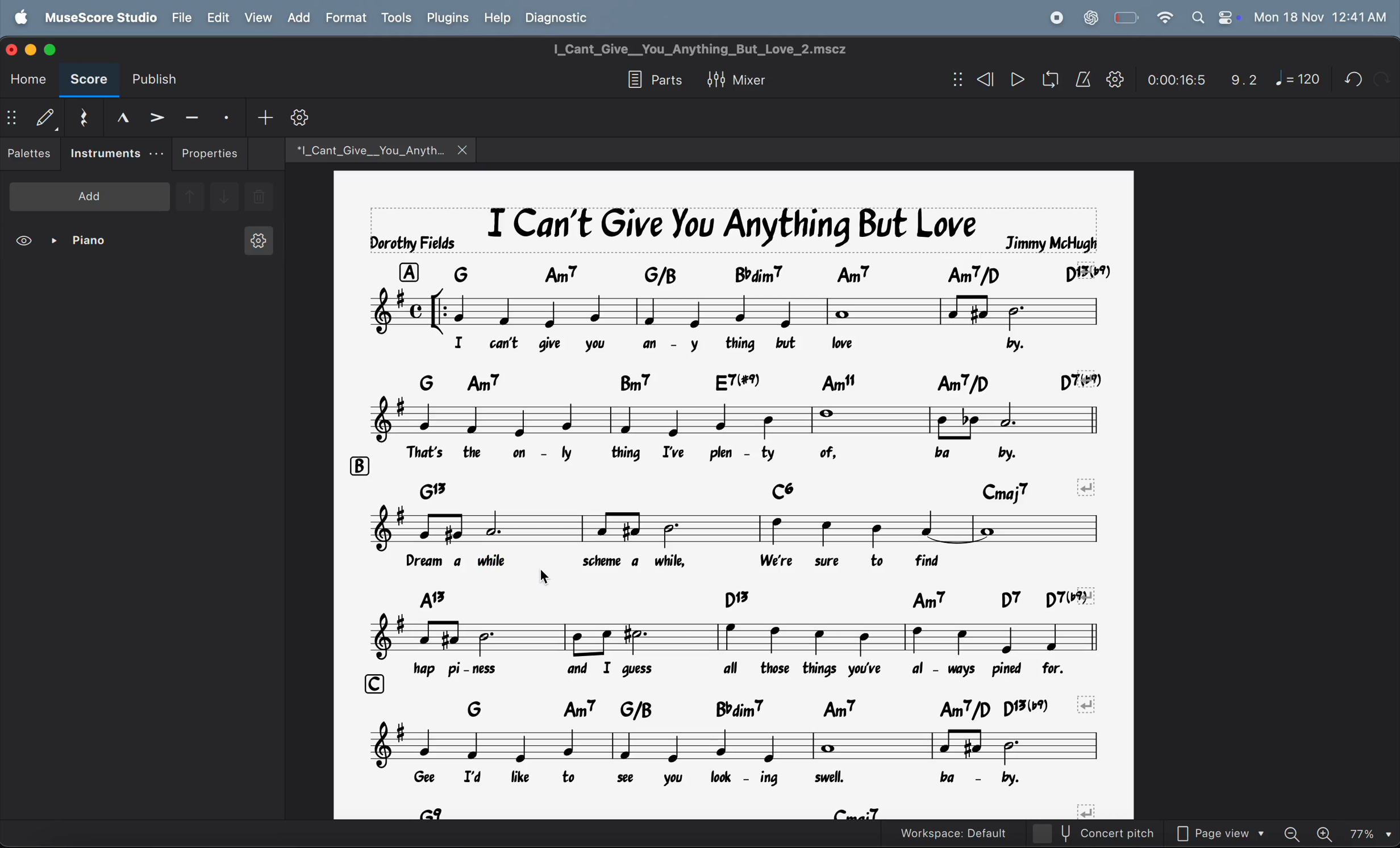 The width and height of the screenshot is (1400, 848). What do you see at coordinates (648, 80) in the screenshot?
I see `parts` at bounding box center [648, 80].